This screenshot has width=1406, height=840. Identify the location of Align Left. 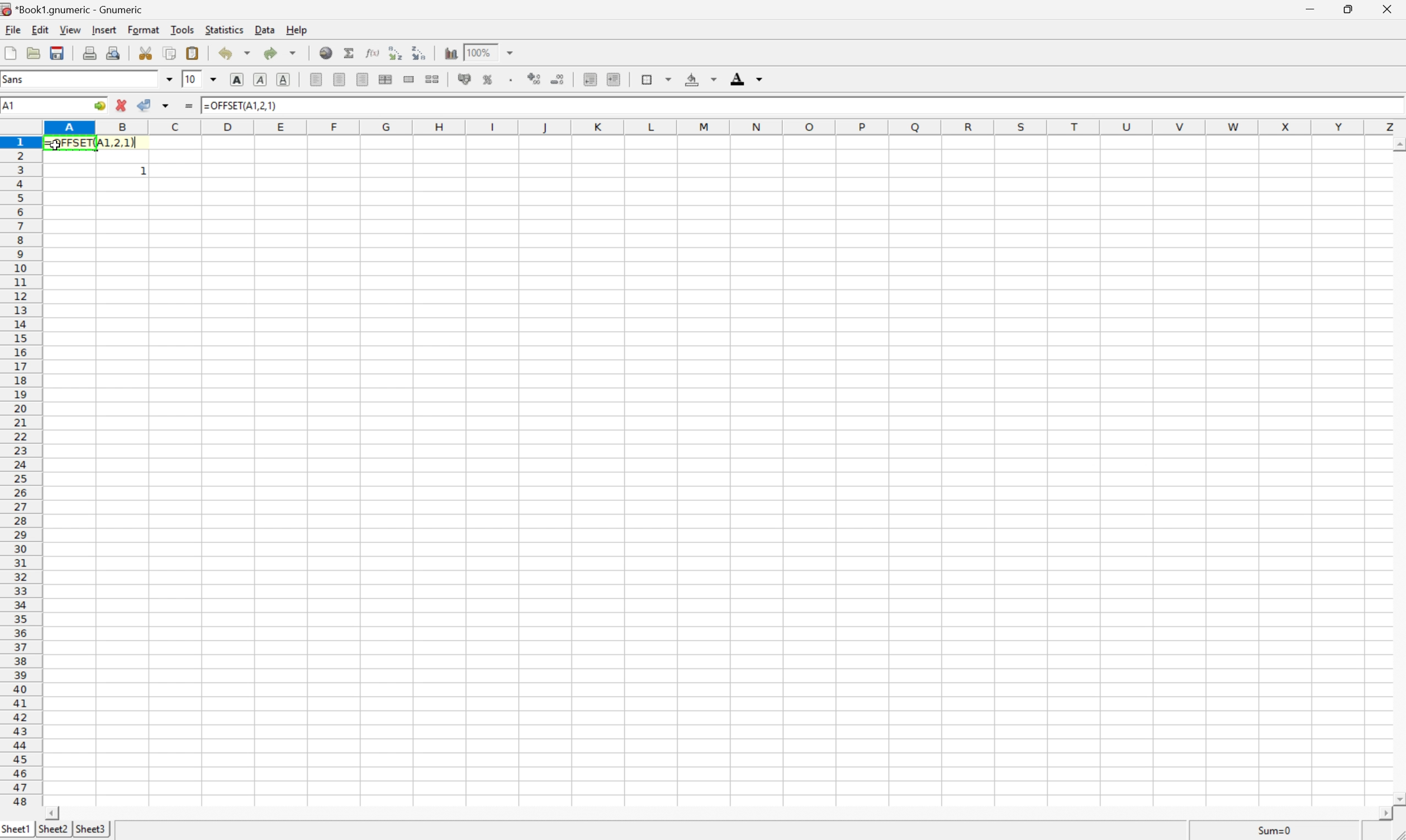
(318, 78).